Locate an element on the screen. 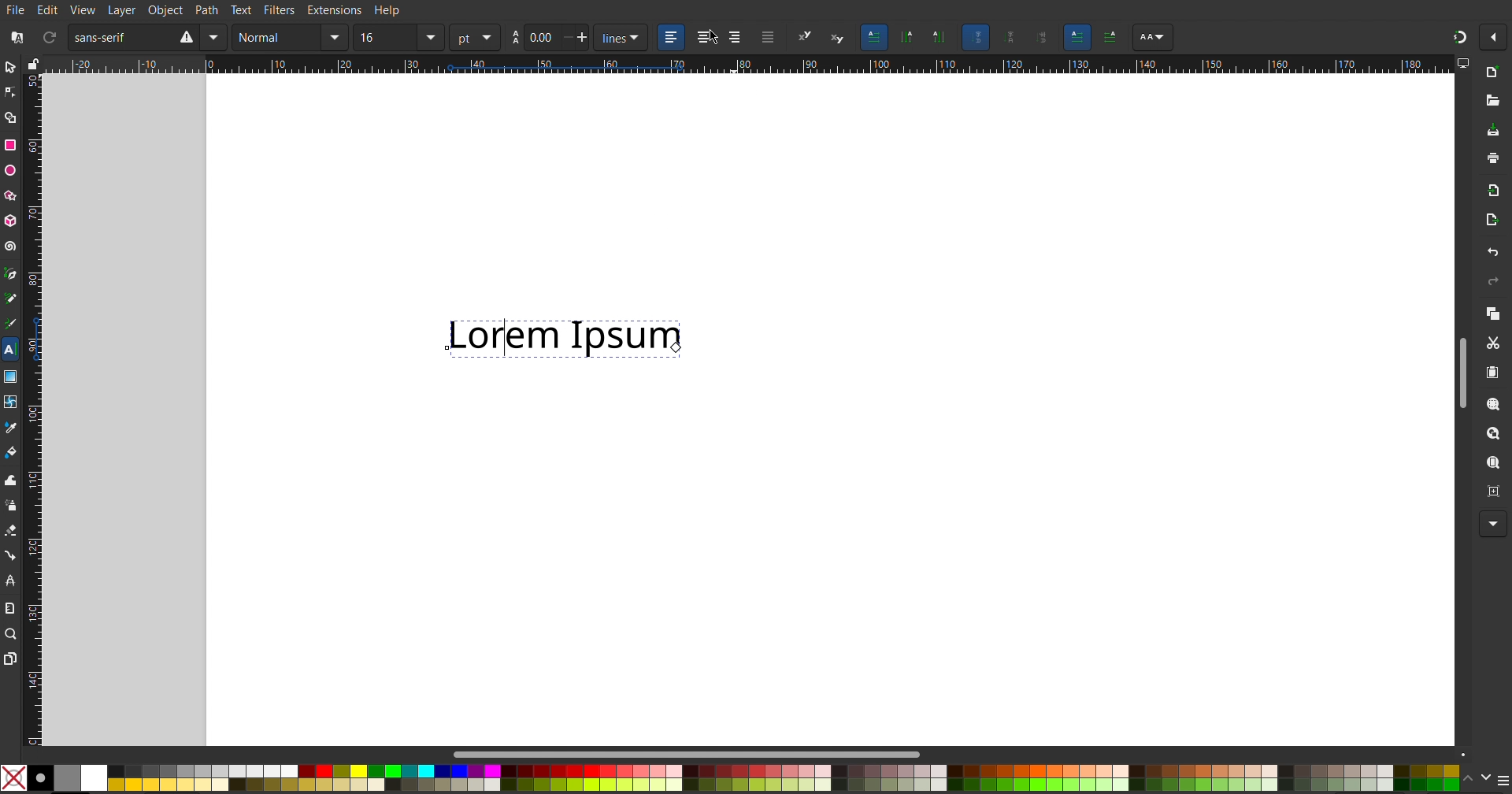 This screenshot has width=1512, height=794. Open Export is located at coordinates (1492, 220).